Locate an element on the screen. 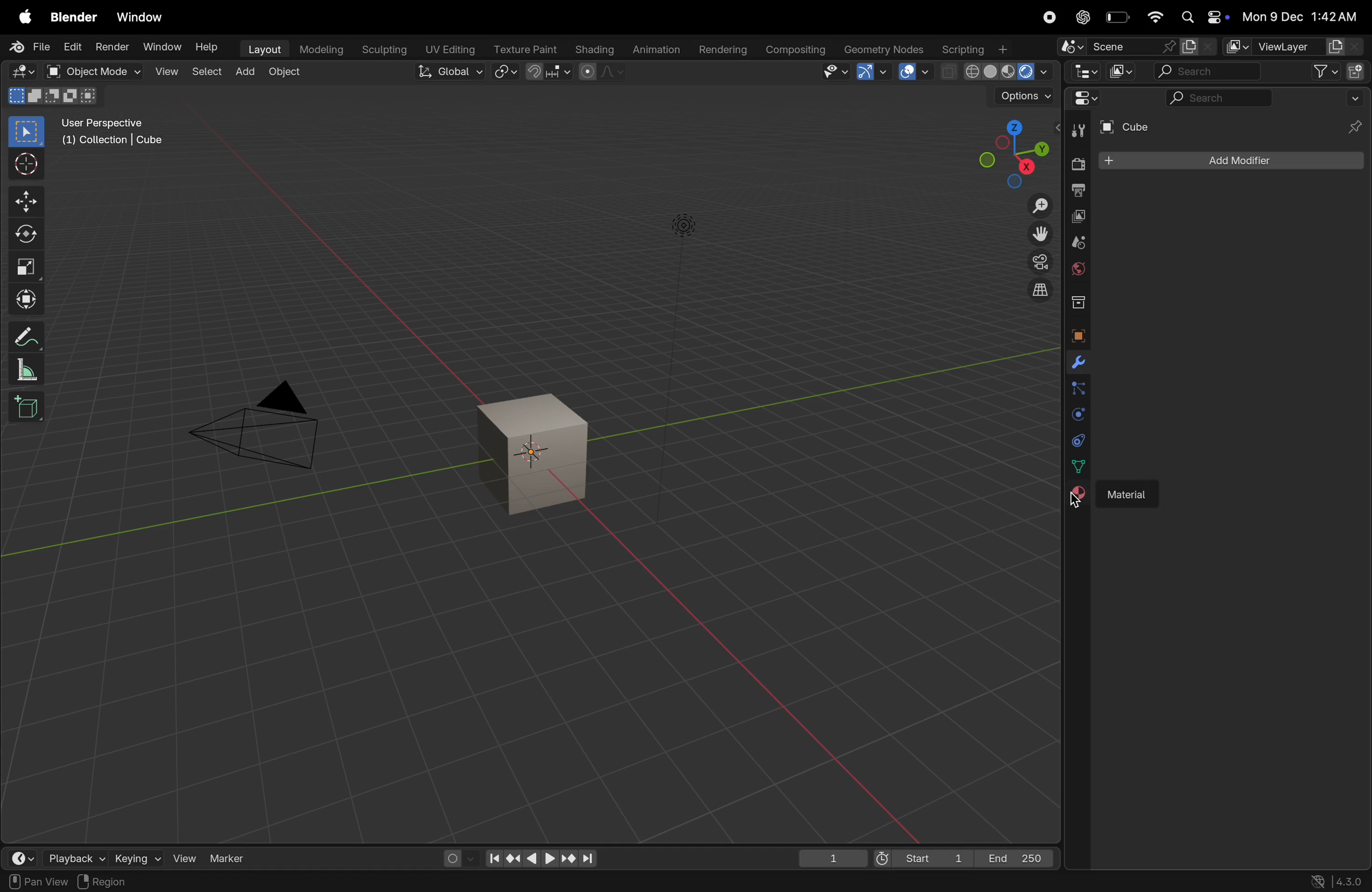  File is located at coordinates (32, 47).